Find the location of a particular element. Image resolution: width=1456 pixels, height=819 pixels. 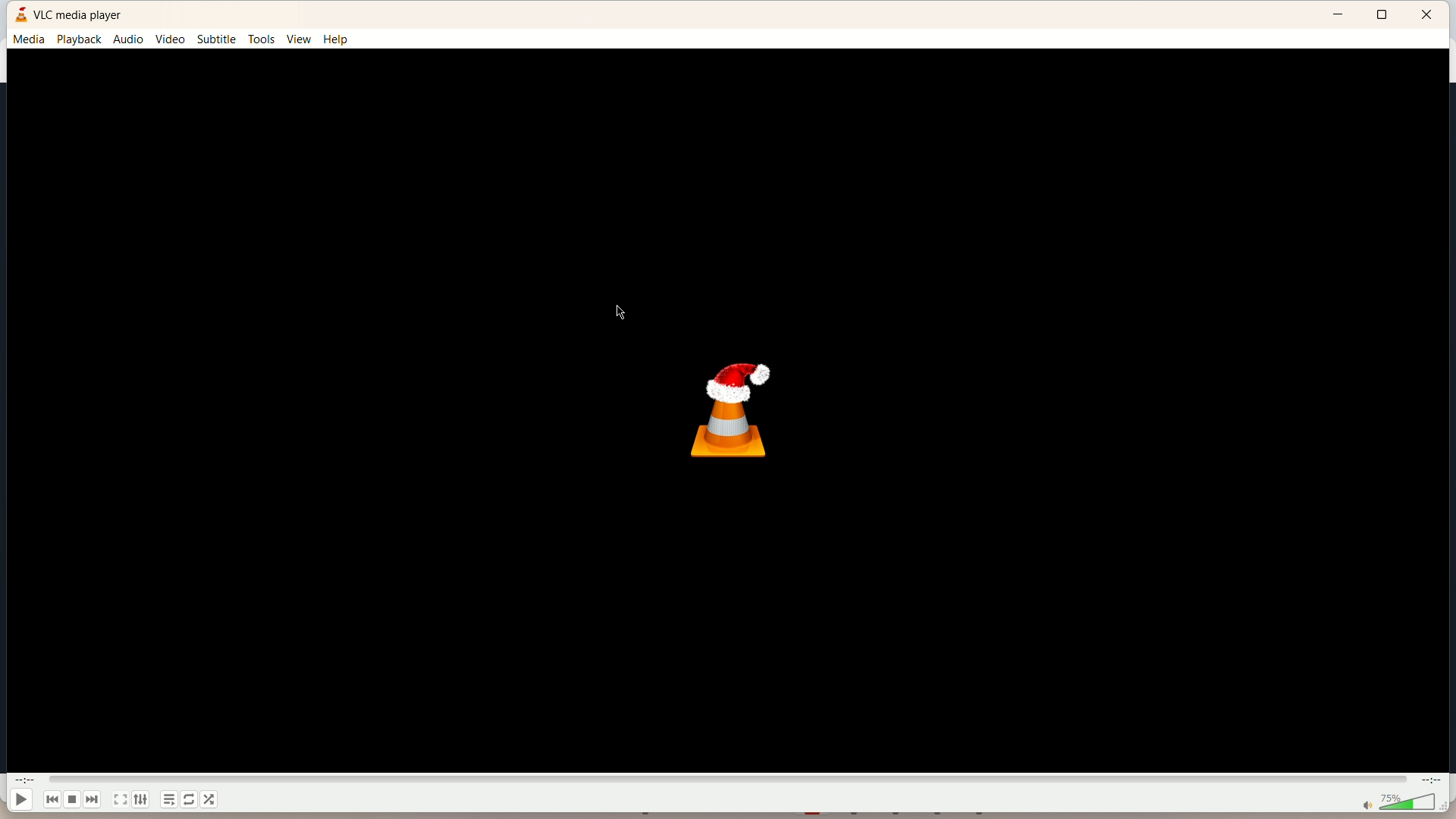

play/pause is located at coordinates (20, 800).